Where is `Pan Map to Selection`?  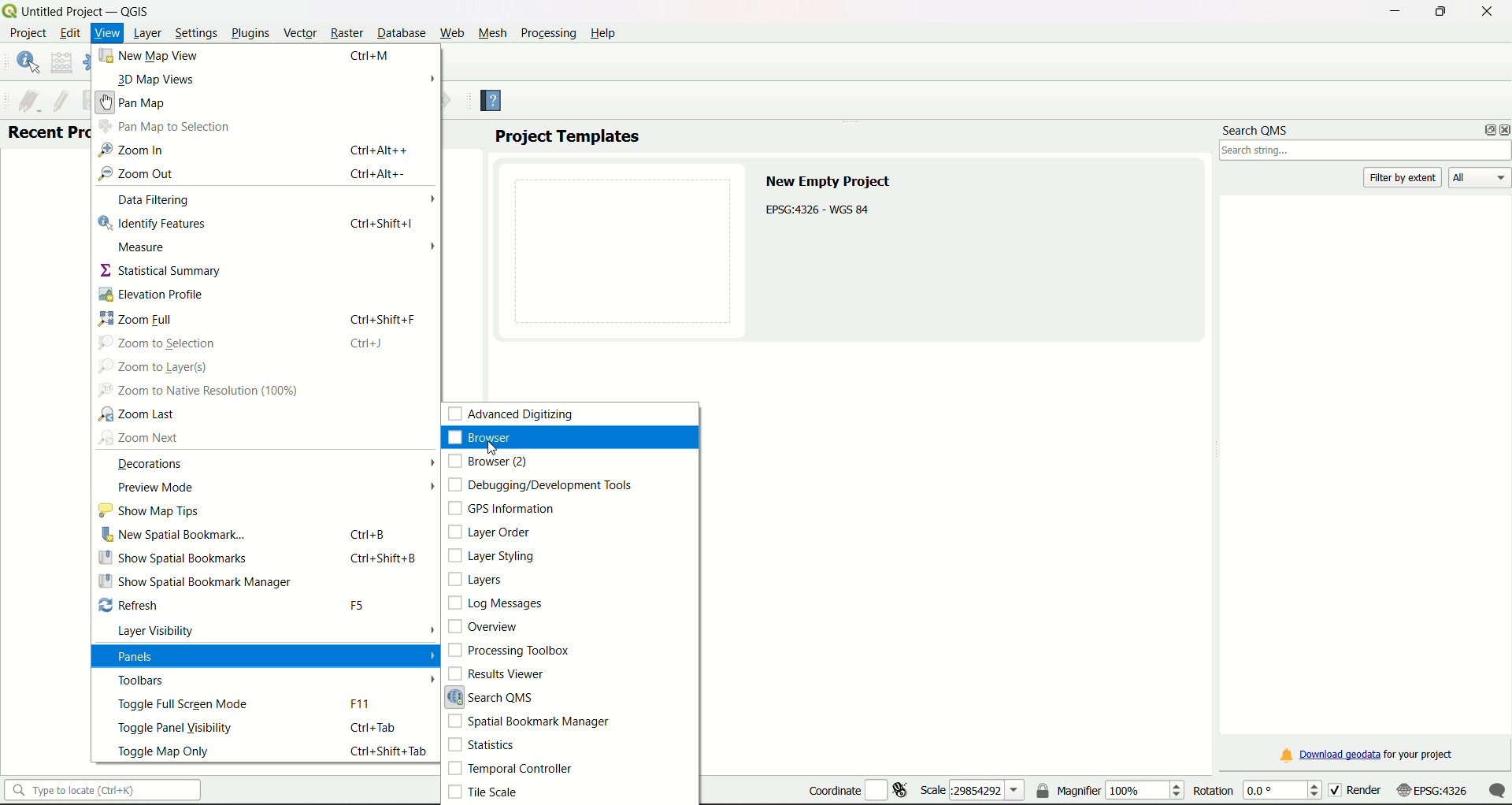
Pan Map to Selection is located at coordinates (165, 127).